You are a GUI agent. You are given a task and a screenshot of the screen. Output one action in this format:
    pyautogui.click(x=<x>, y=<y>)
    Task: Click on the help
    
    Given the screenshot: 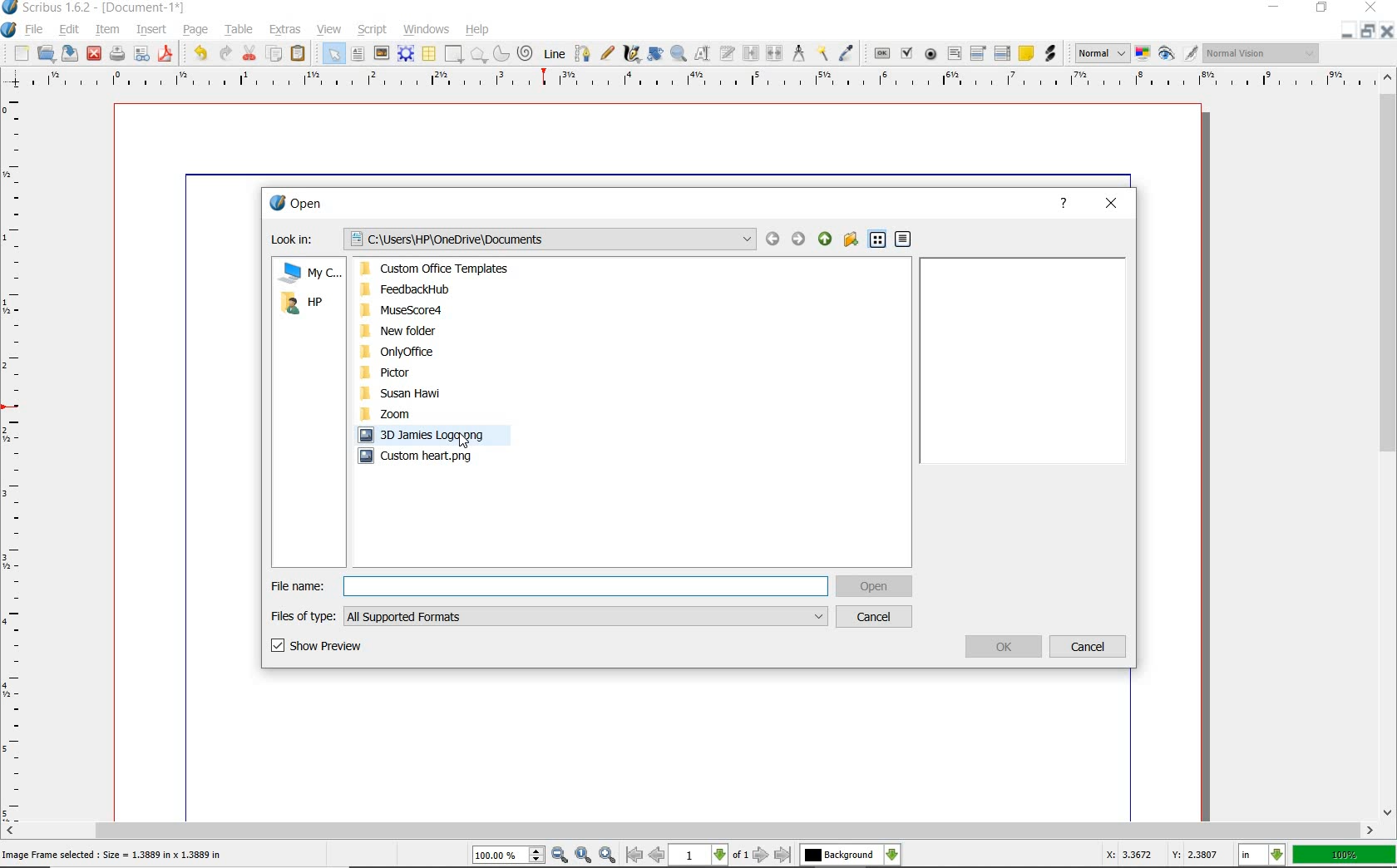 What is the action you would take?
    pyautogui.click(x=1064, y=204)
    